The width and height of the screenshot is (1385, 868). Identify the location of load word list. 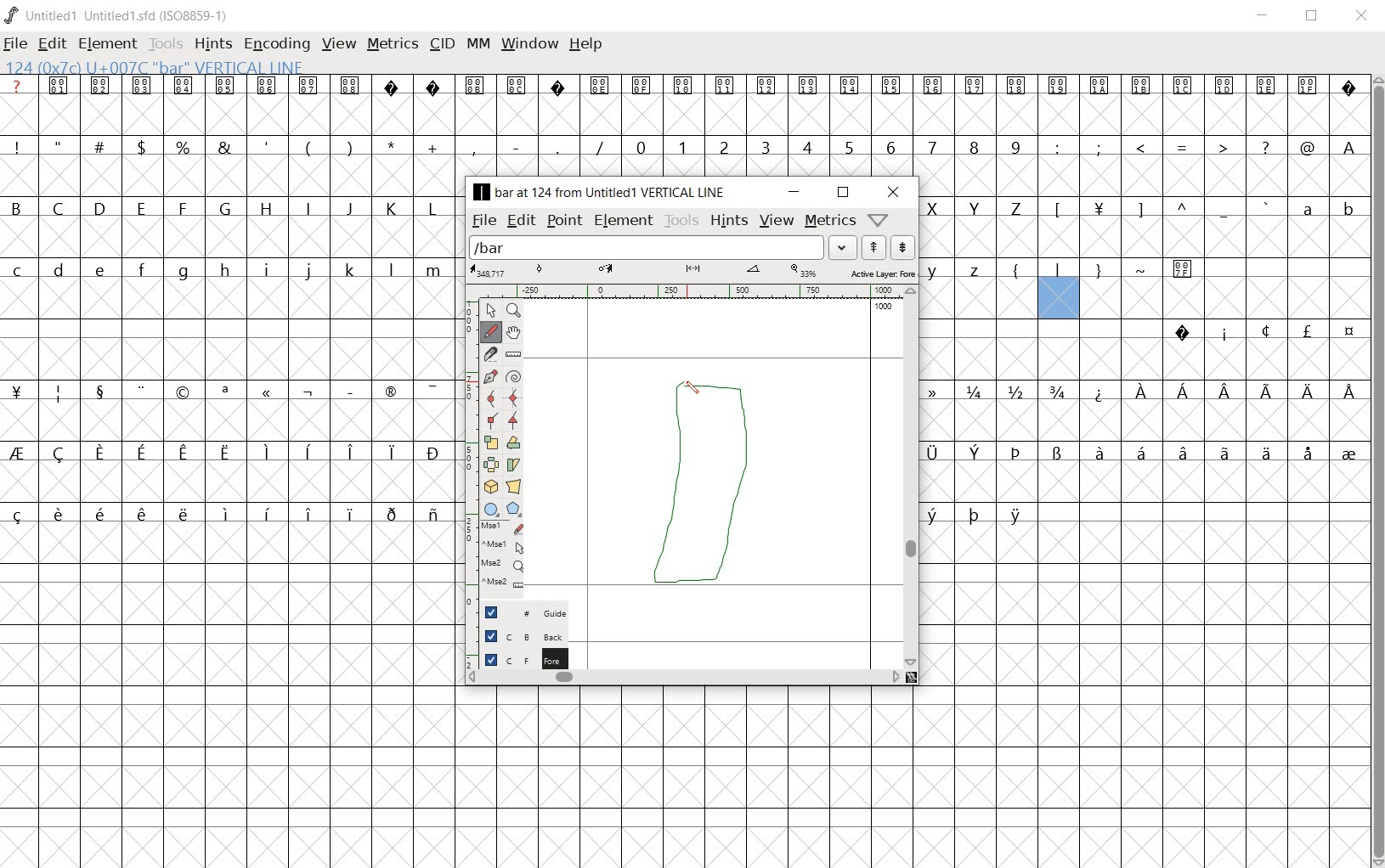
(647, 247).